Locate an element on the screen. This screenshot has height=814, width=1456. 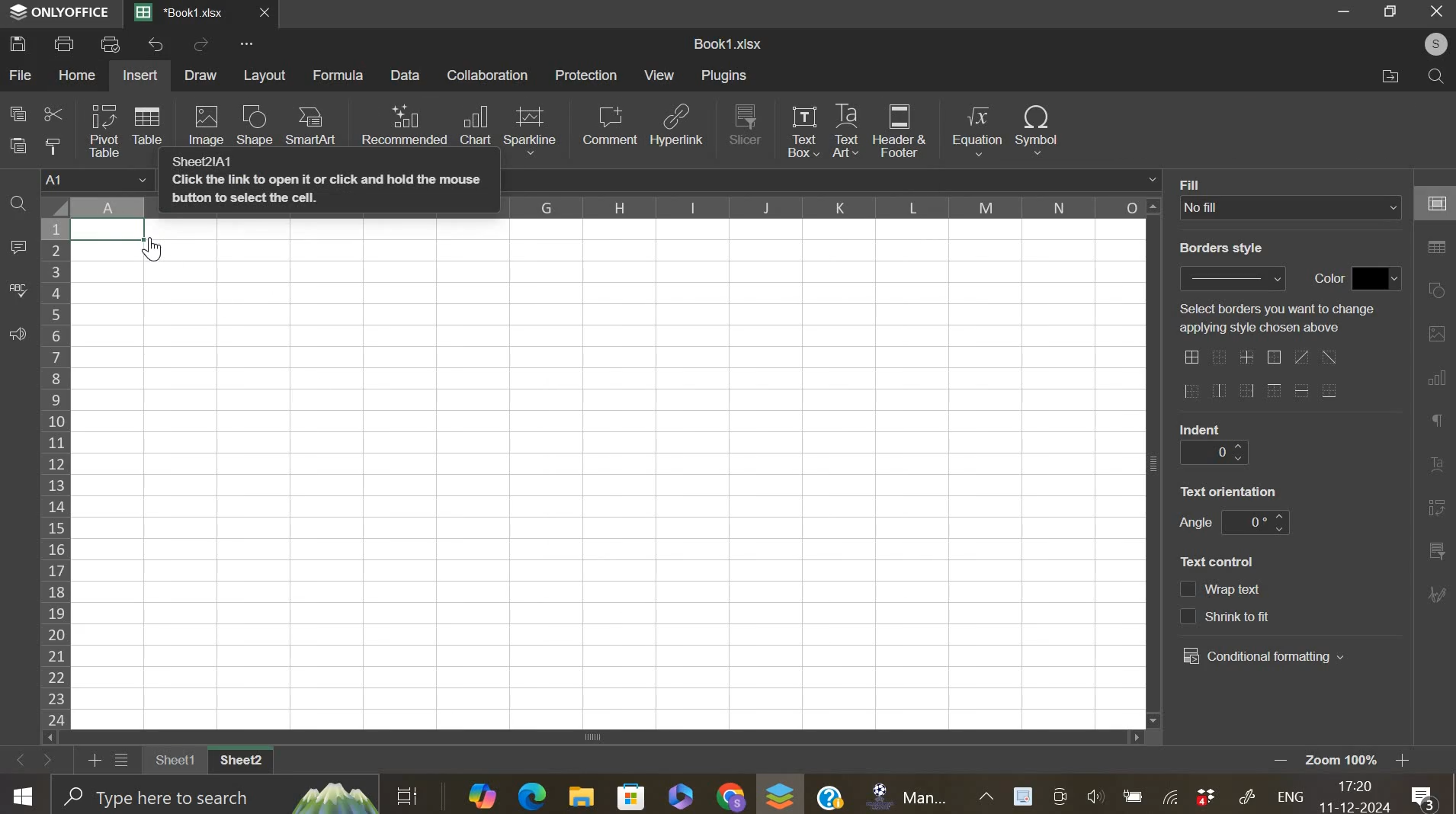
print is located at coordinates (65, 43).